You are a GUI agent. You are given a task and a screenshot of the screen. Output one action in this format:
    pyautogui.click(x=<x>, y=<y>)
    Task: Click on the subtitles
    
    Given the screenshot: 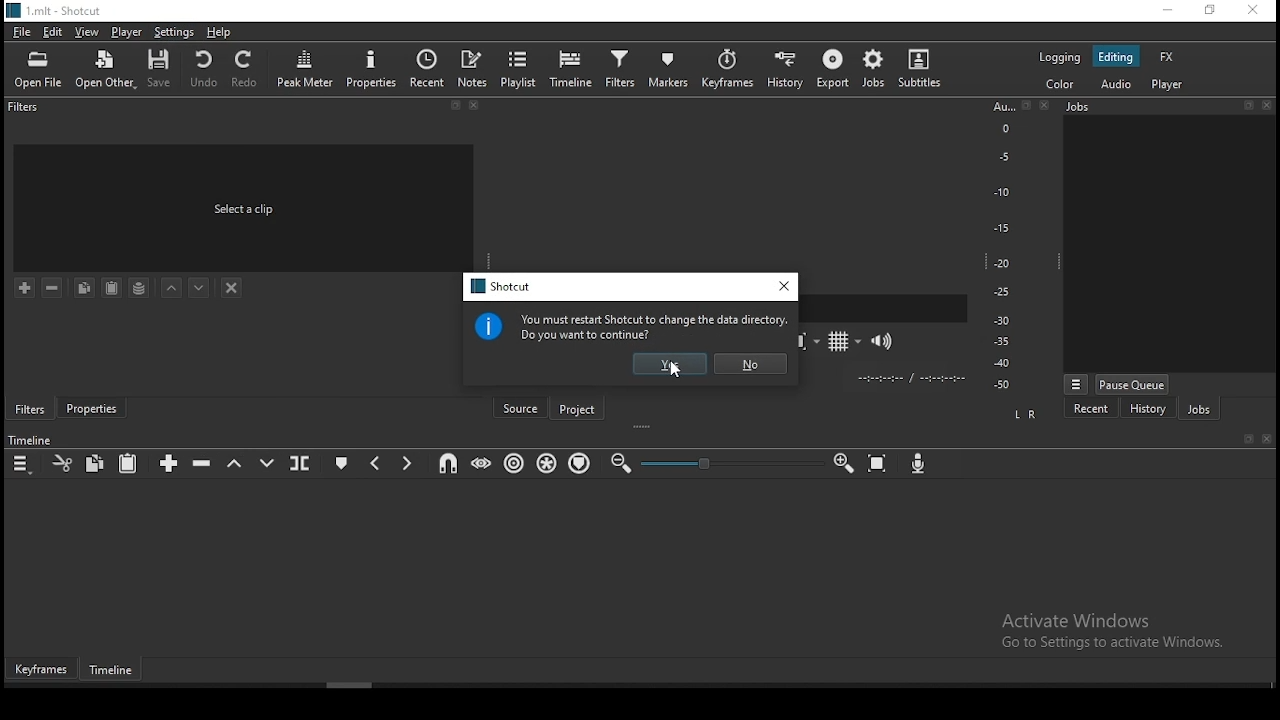 What is the action you would take?
    pyautogui.click(x=924, y=68)
    